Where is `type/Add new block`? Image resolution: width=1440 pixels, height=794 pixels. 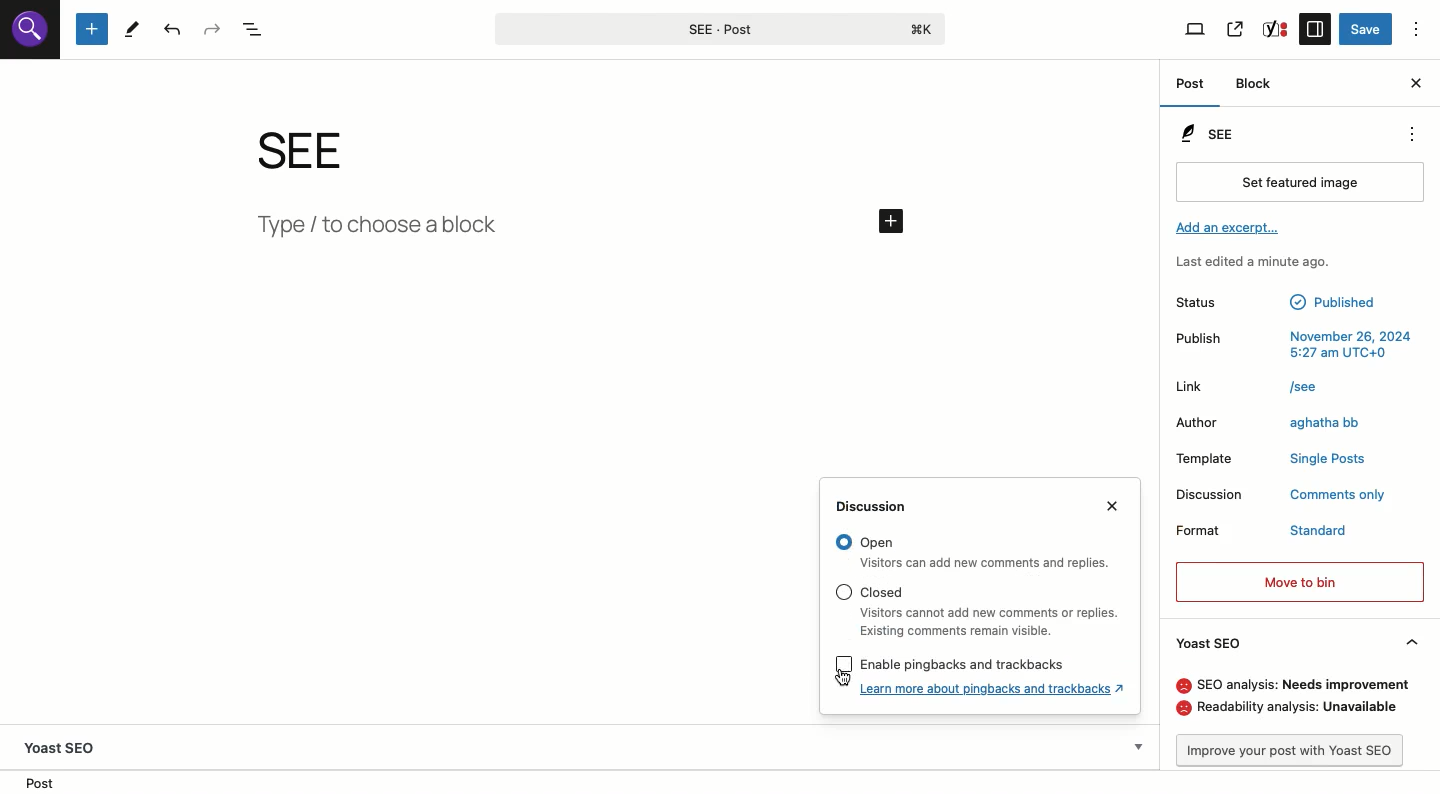
type/Add new block is located at coordinates (584, 230).